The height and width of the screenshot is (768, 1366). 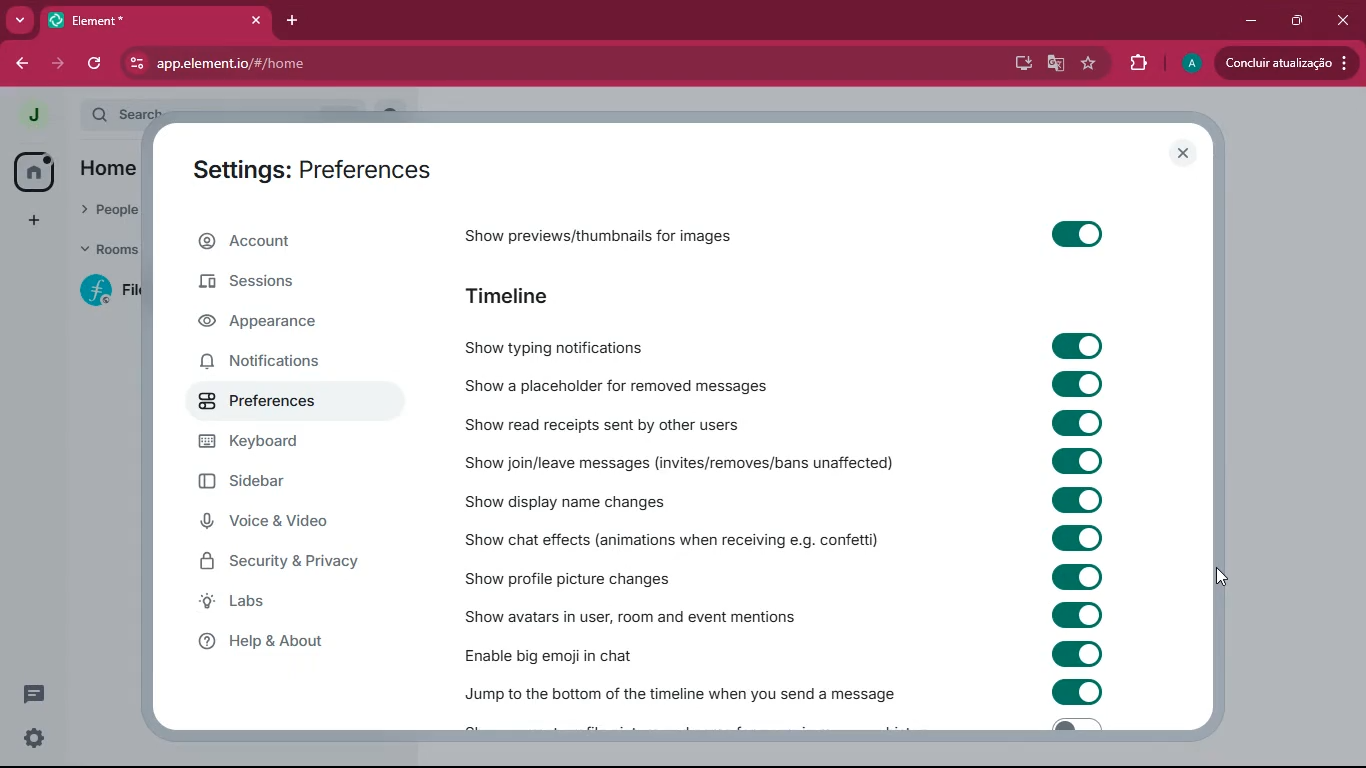 What do you see at coordinates (295, 645) in the screenshot?
I see `help & about` at bounding box center [295, 645].